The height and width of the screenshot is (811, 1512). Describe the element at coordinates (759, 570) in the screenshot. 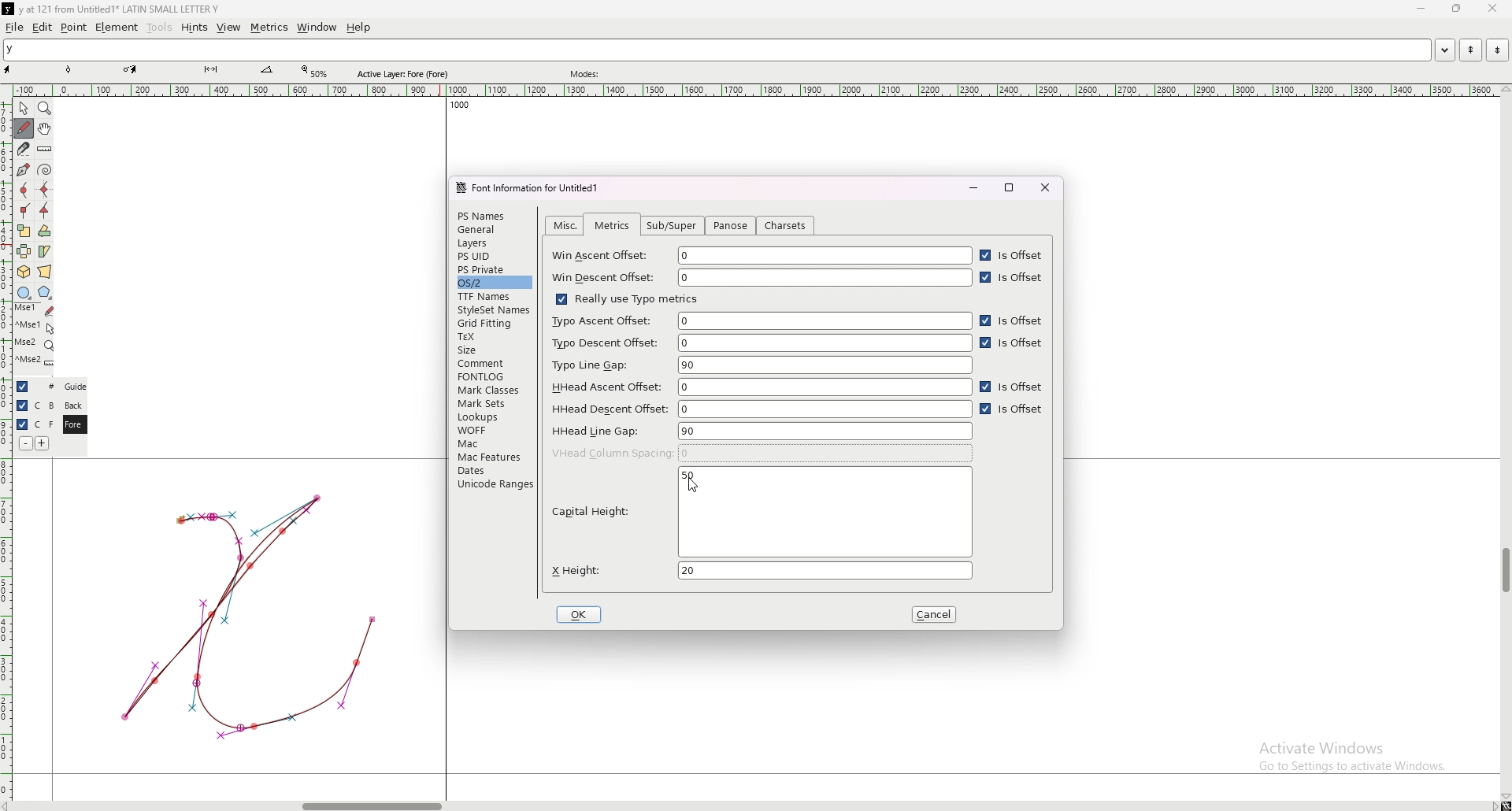

I see `x height 20` at that location.